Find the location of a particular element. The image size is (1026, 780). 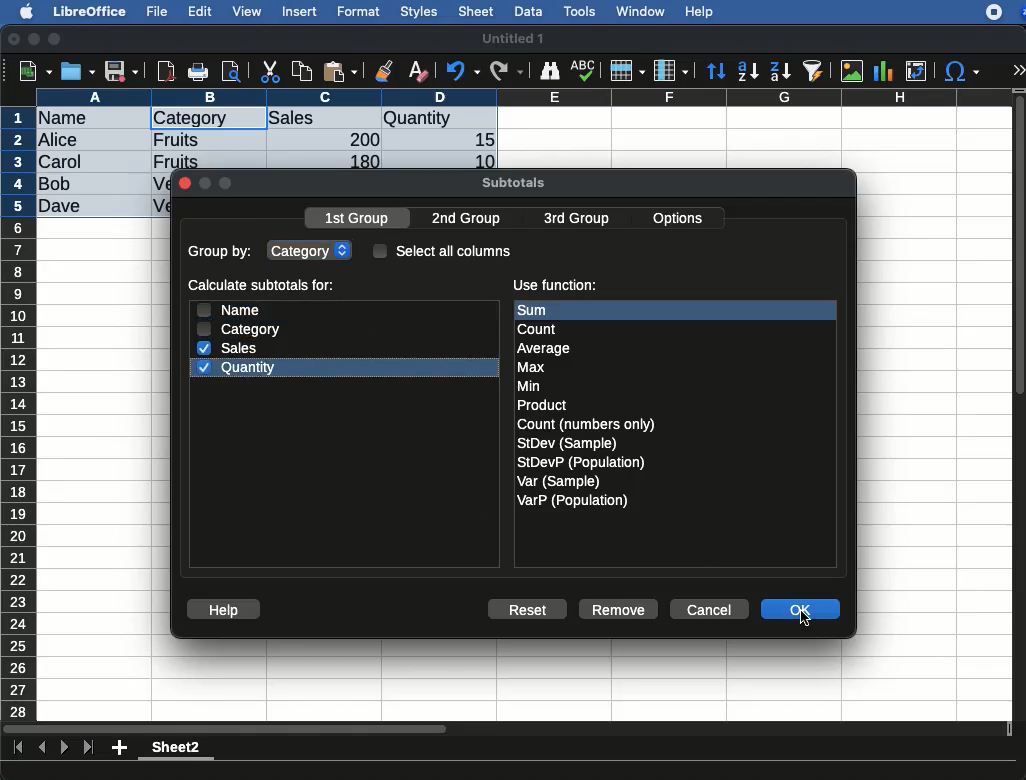

copy is located at coordinates (304, 71).